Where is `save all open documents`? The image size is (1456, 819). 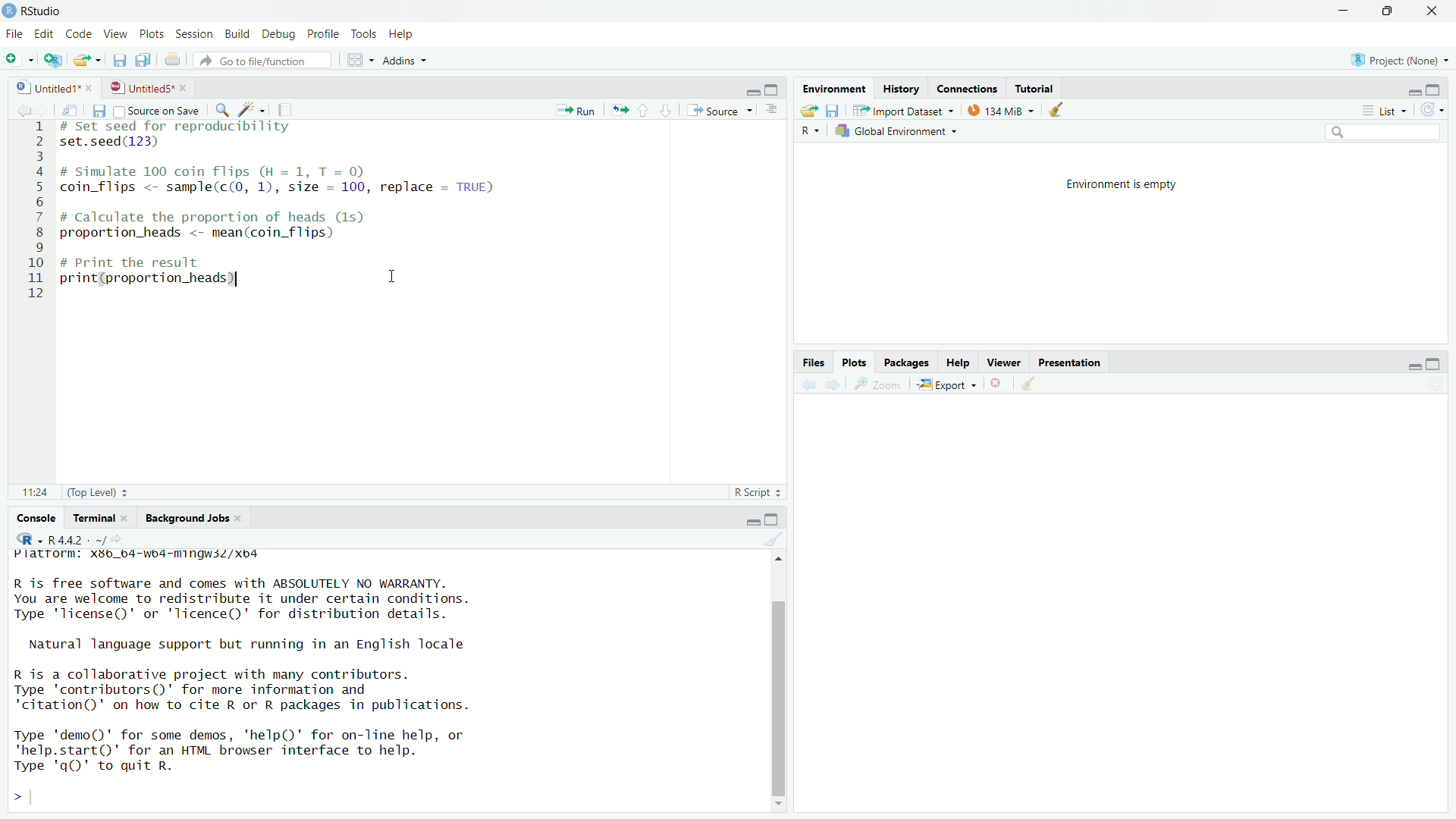
save all open documents is located at coordinates (146, 61).